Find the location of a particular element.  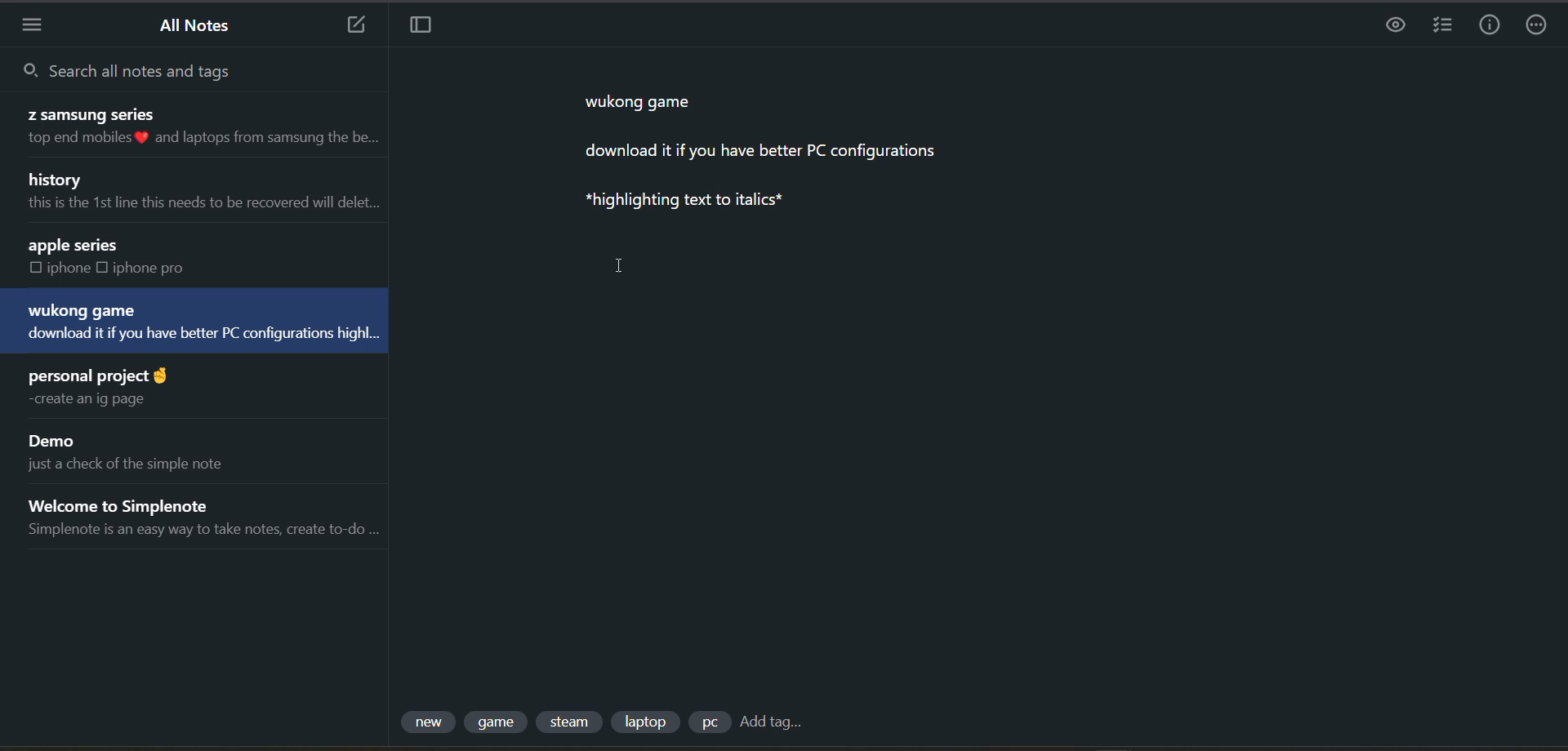

tag 5 is located at coordinates (710, 722).